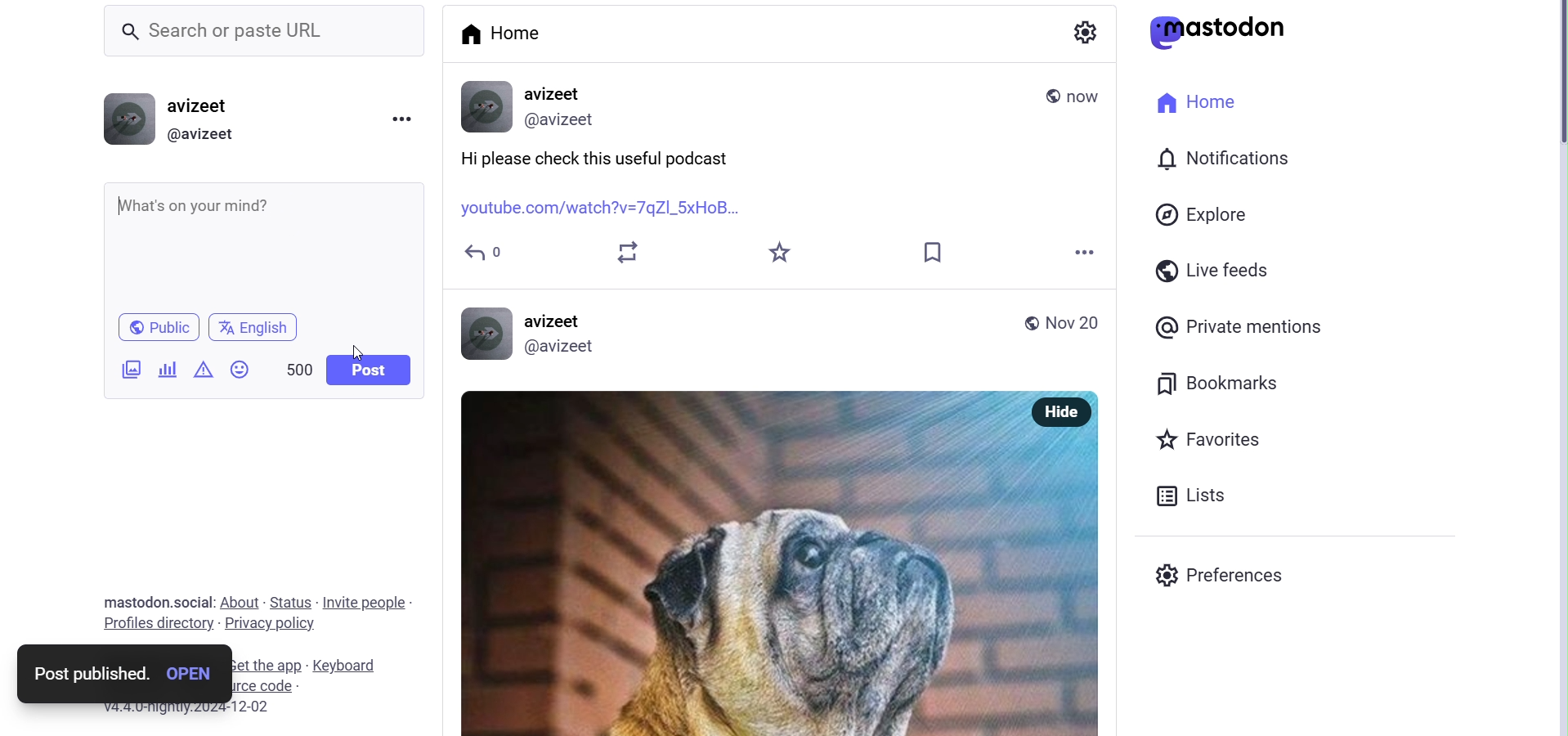 Image resolution: width=1568 pixels, height=736 pixels. What do you see at coordinates (202, 369) in the screenshot?
I see `content warning` at bounding box center [202, 369].